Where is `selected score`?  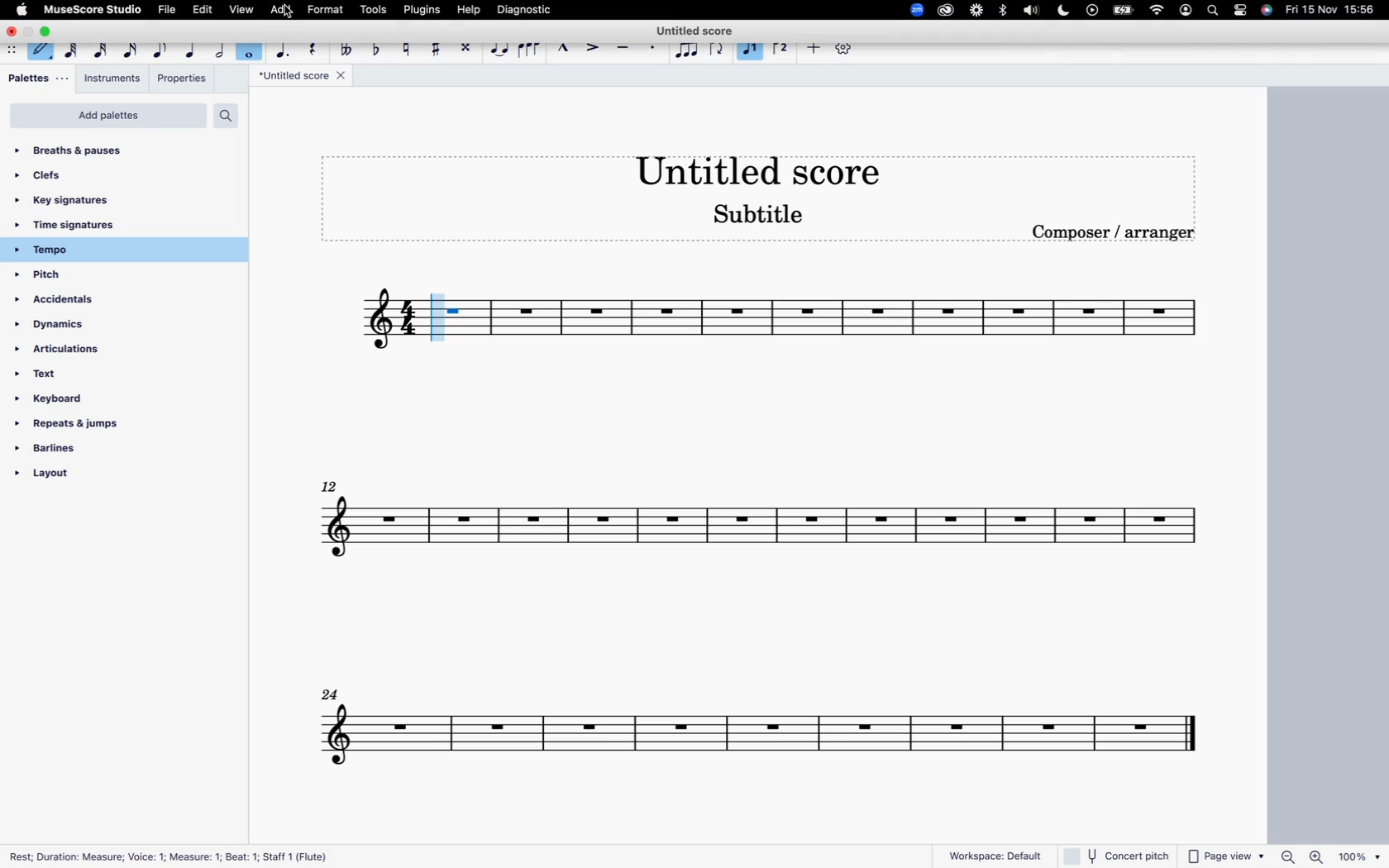 selected score is located at coordinates (449, 319).